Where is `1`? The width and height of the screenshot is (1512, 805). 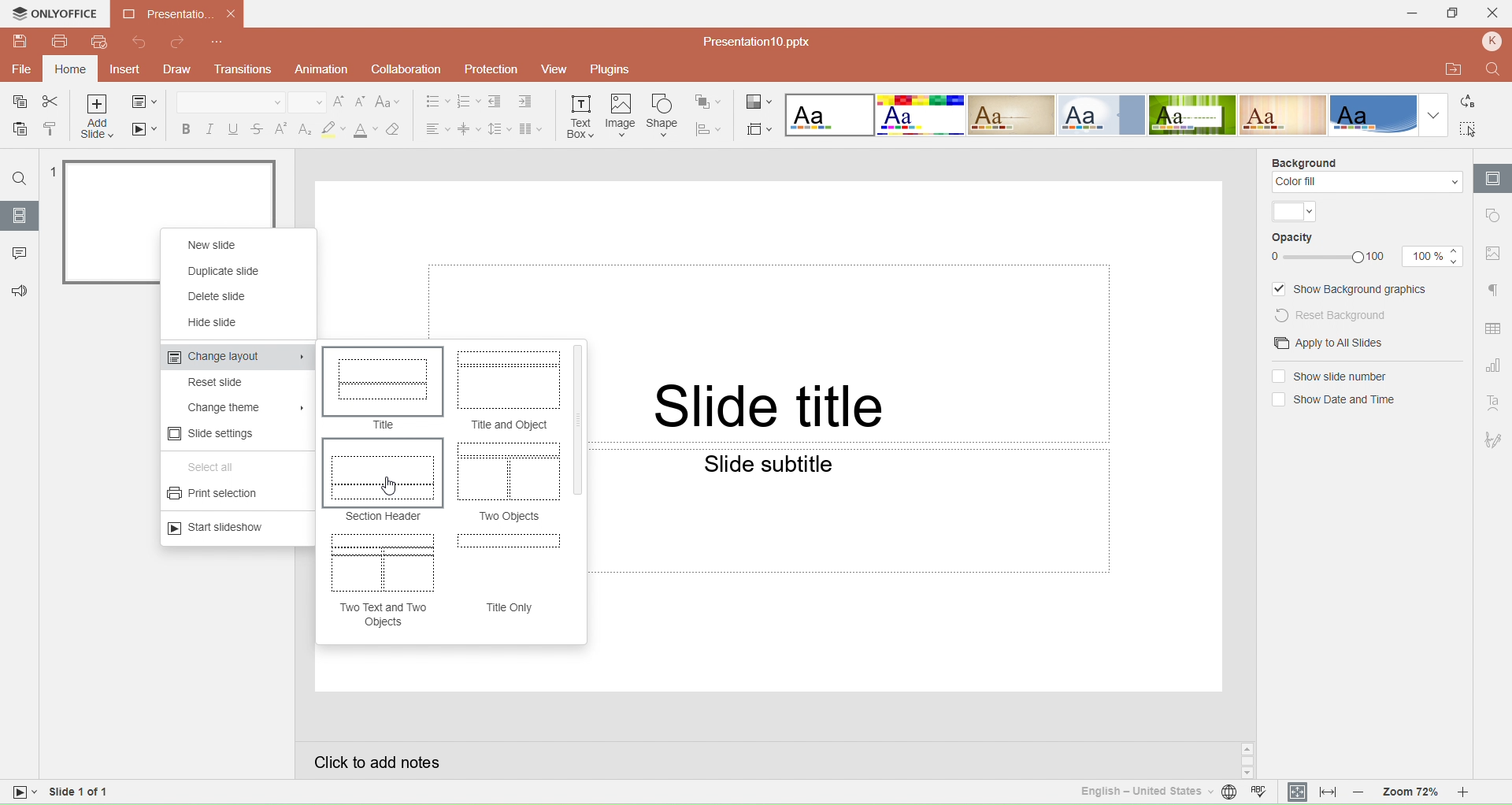 1 is located at coordinates (51, 169).